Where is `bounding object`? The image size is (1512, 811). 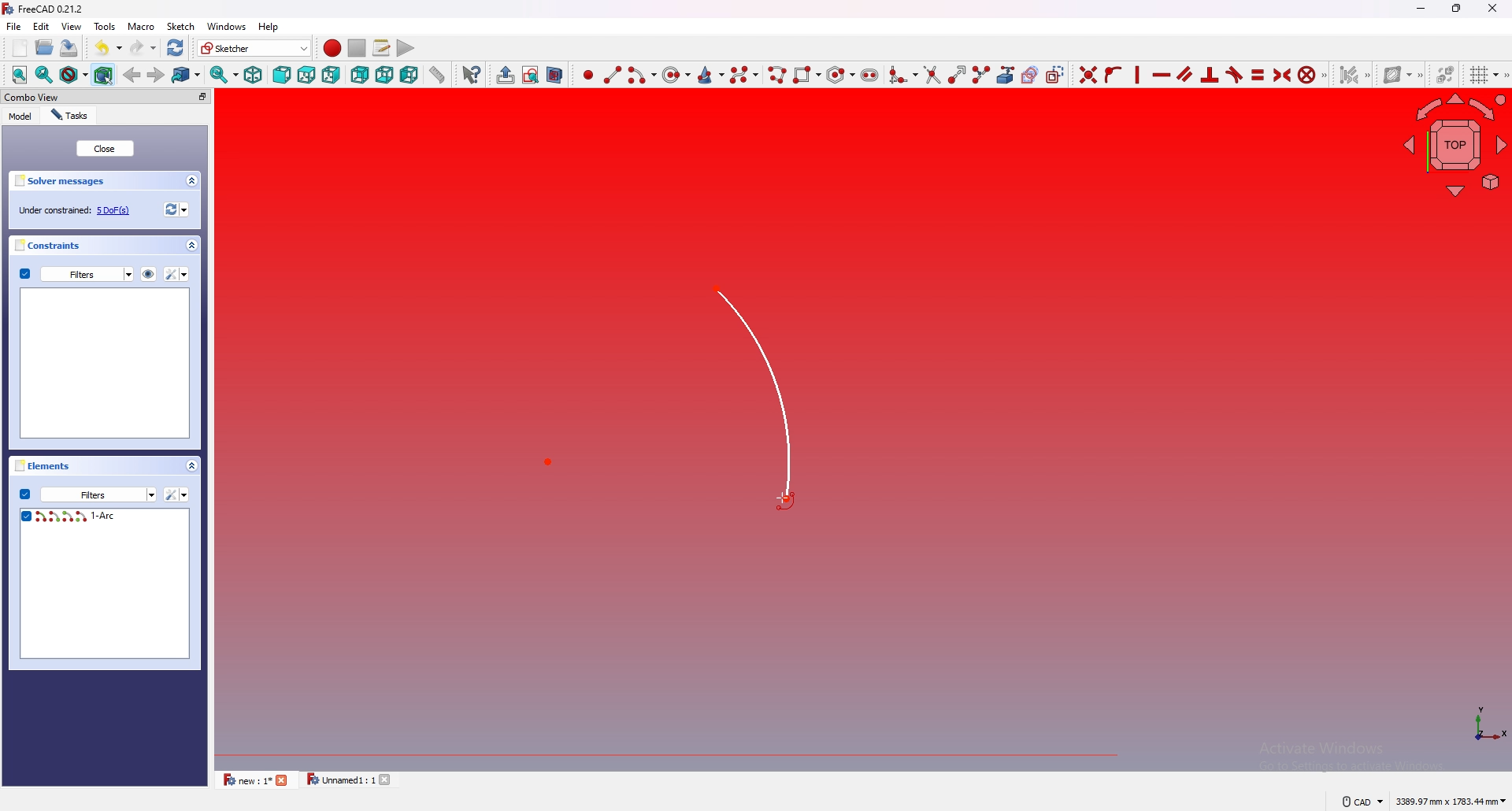 bounding object is located at coordinates (104, 73).